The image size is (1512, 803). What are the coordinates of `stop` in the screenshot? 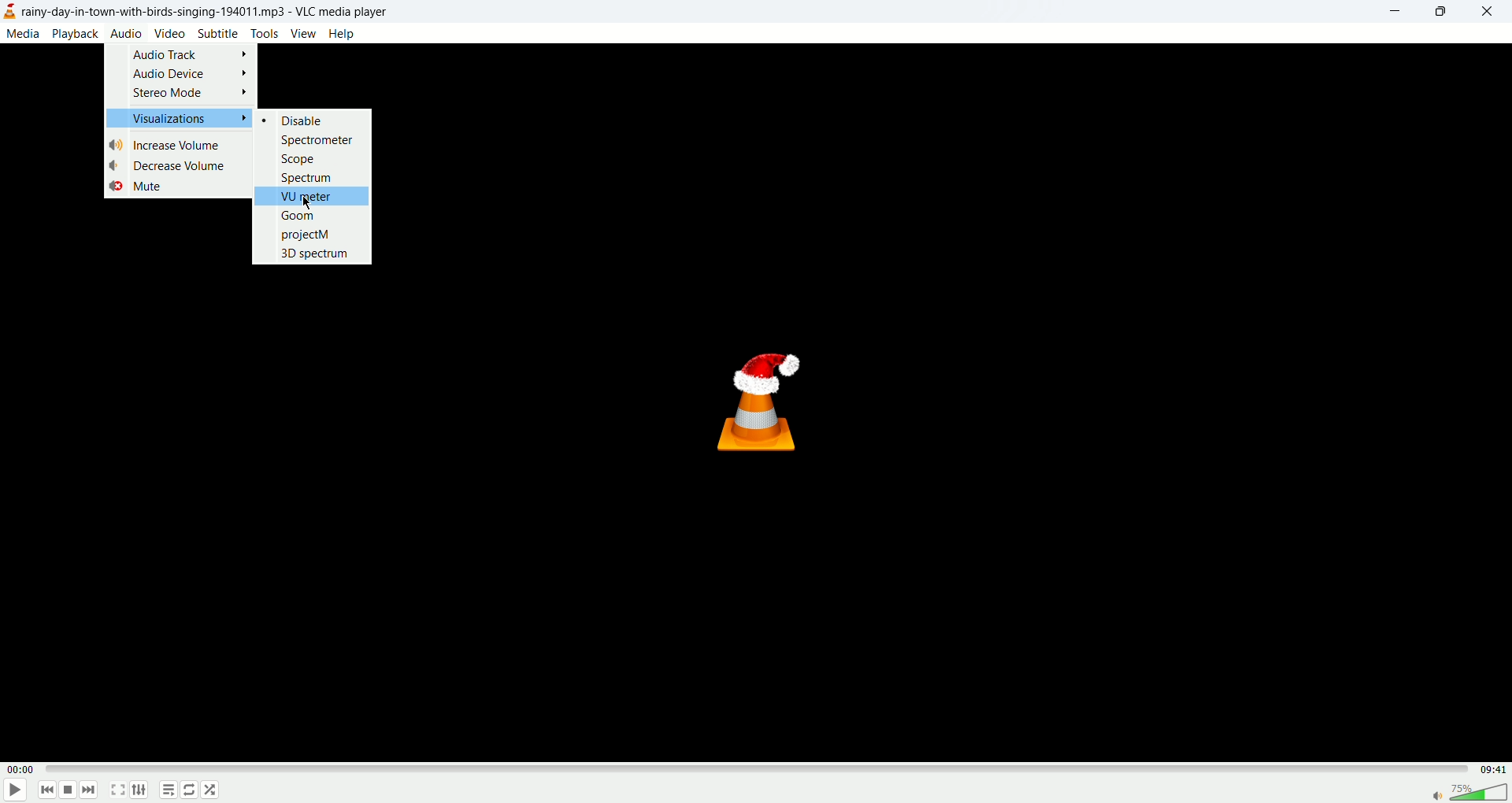 It's located at (69, 790).